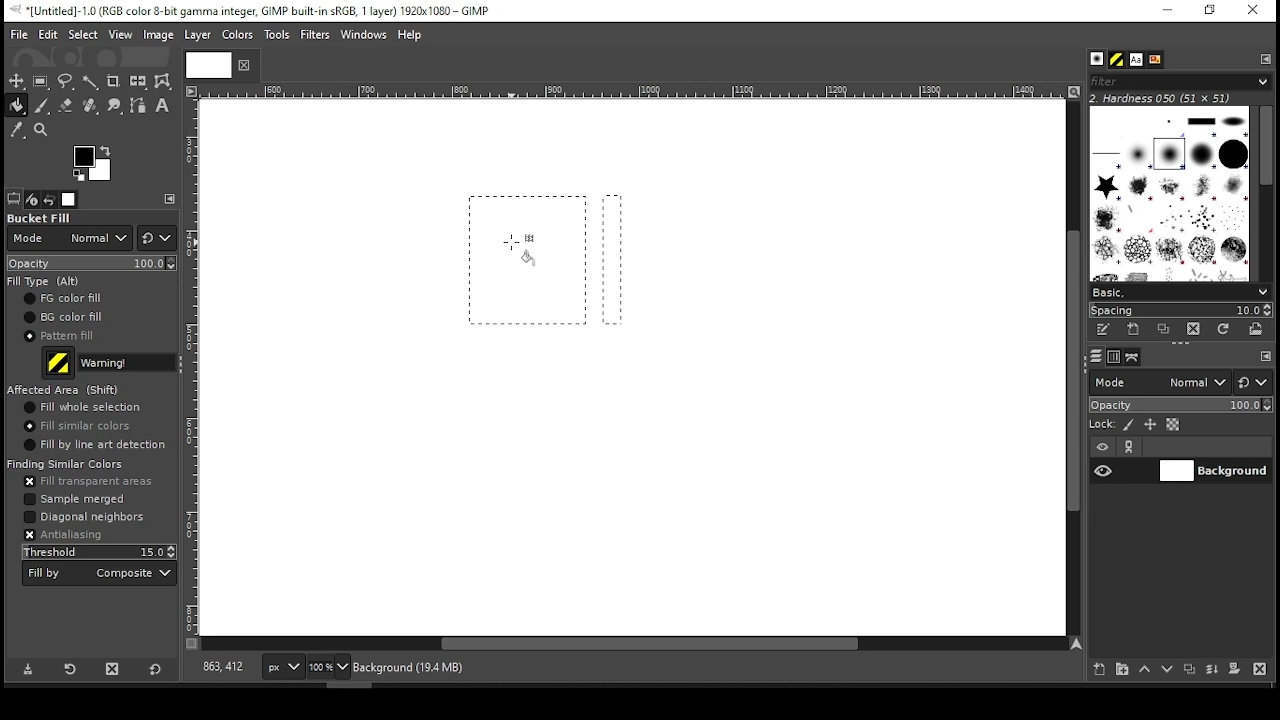 The height and width of the screenshot is (720, 1280). I want to click on warp transform tool, so click(162, 82).